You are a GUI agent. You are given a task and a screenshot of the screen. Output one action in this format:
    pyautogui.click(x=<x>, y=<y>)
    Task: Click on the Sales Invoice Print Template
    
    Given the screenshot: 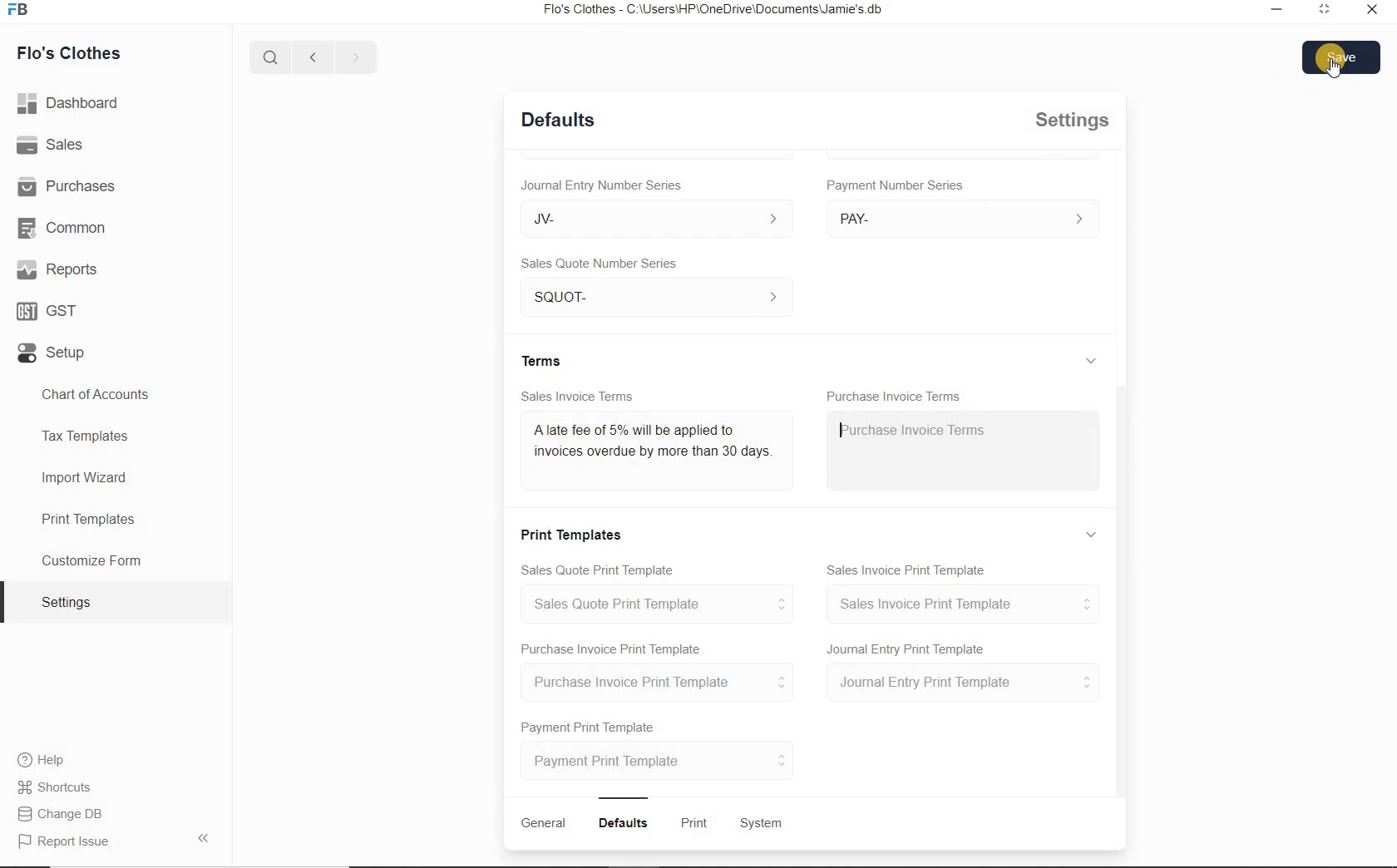 What is the action you would take?
    pyautogui.click(x=909, y=567)
    